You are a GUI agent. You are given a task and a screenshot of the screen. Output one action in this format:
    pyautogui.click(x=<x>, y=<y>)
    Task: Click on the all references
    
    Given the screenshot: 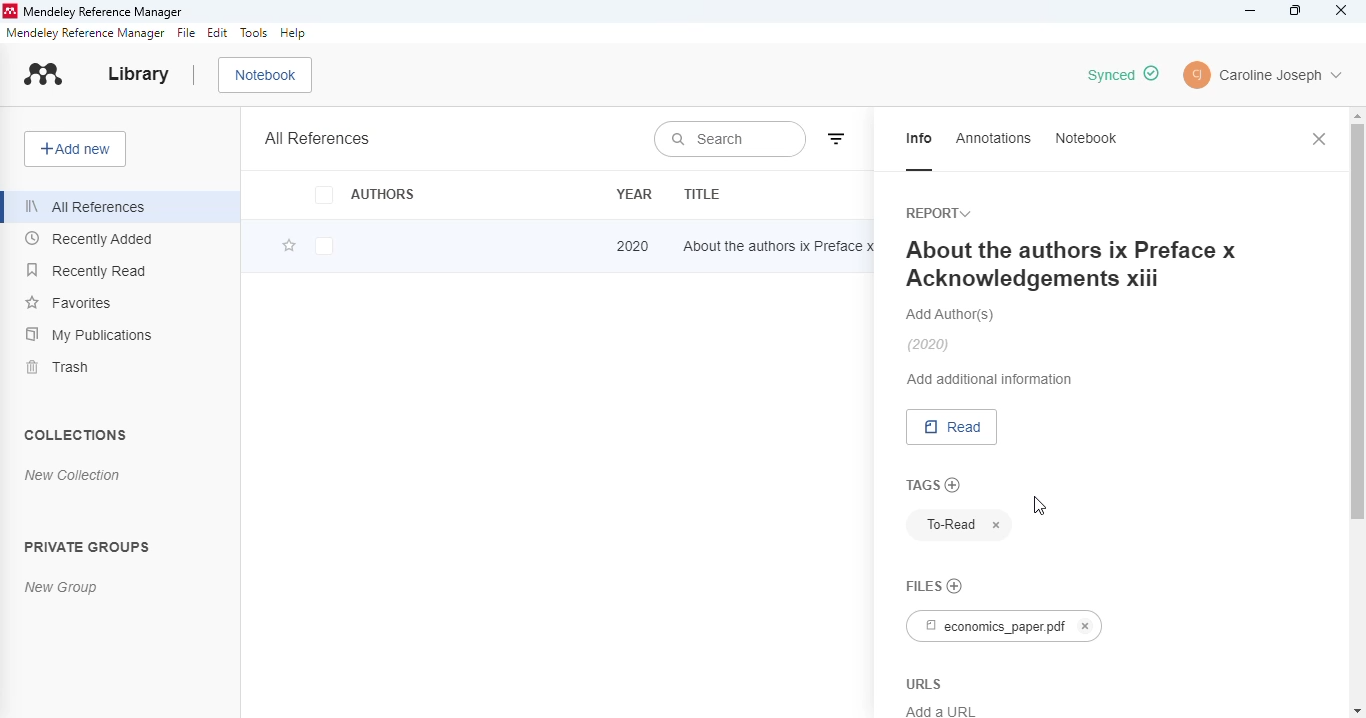 What is the action you would take?
    pyautogui.click(x=85, y=206)
    